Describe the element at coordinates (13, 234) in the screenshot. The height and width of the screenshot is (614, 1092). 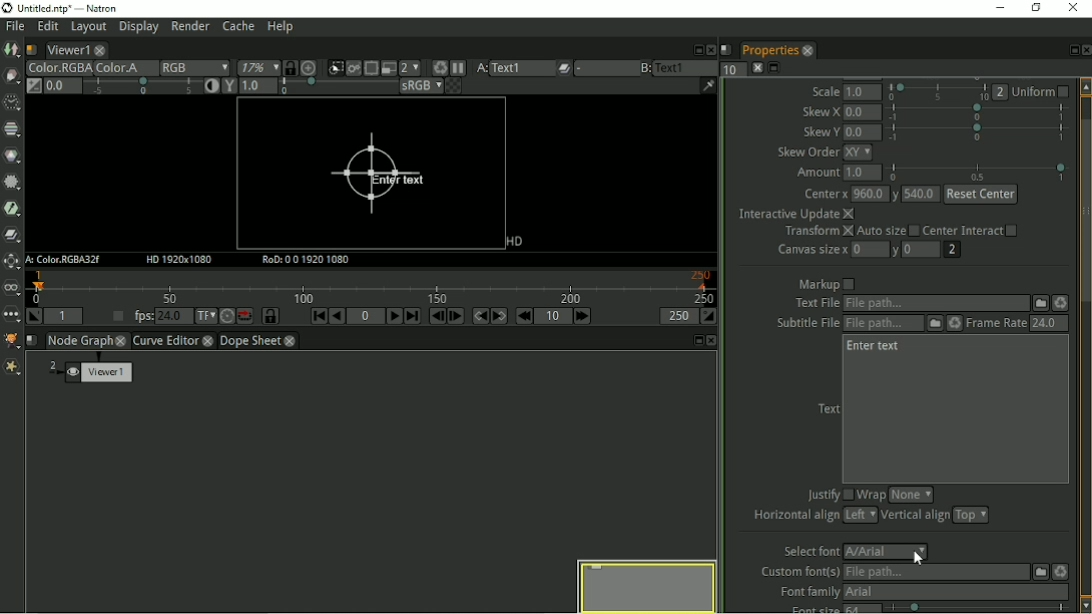
I see `Merge` at that location.